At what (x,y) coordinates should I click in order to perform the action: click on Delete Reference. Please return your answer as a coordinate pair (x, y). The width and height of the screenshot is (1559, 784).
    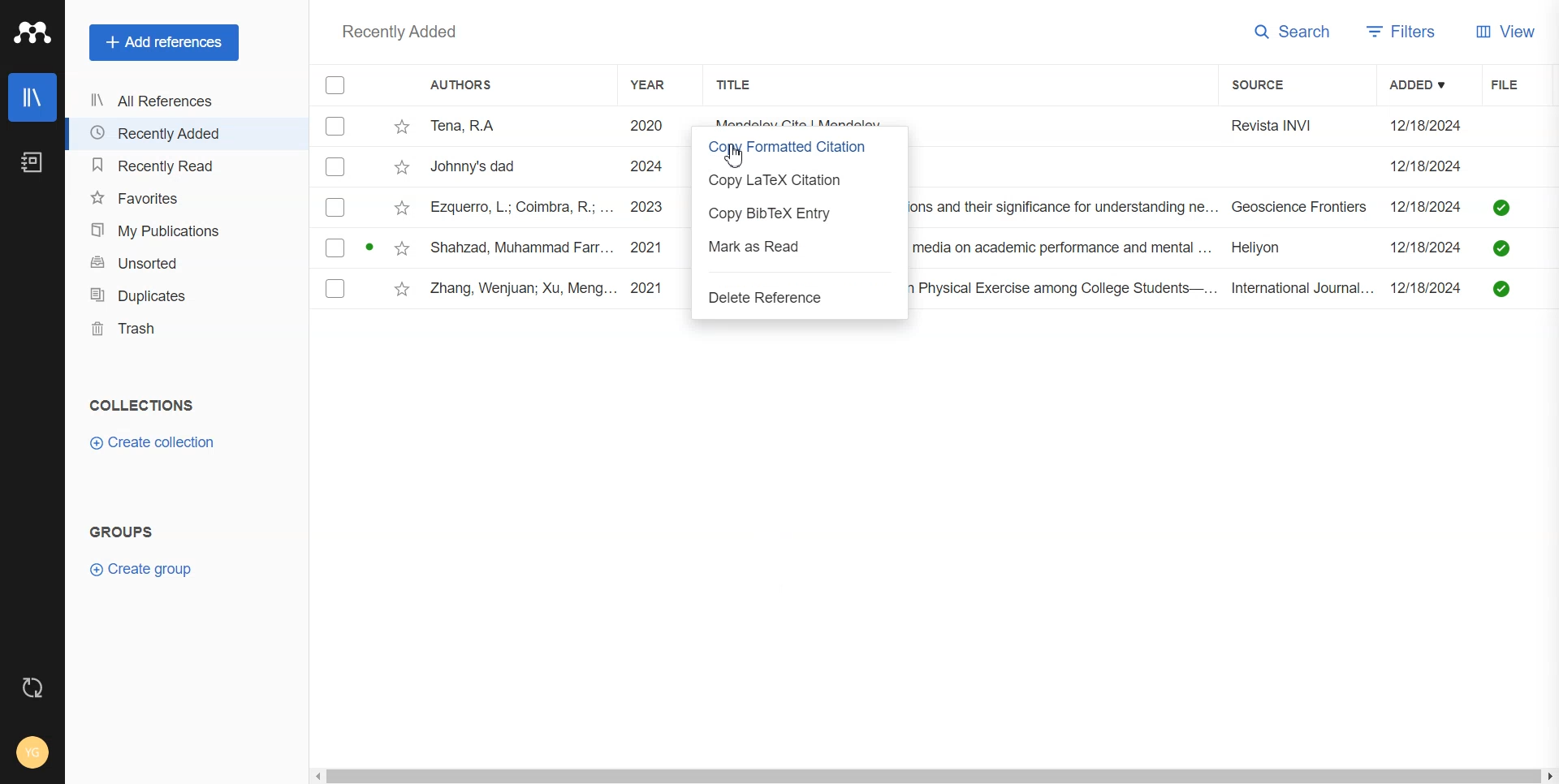
    Looking at the image, I should click on (798, 299).